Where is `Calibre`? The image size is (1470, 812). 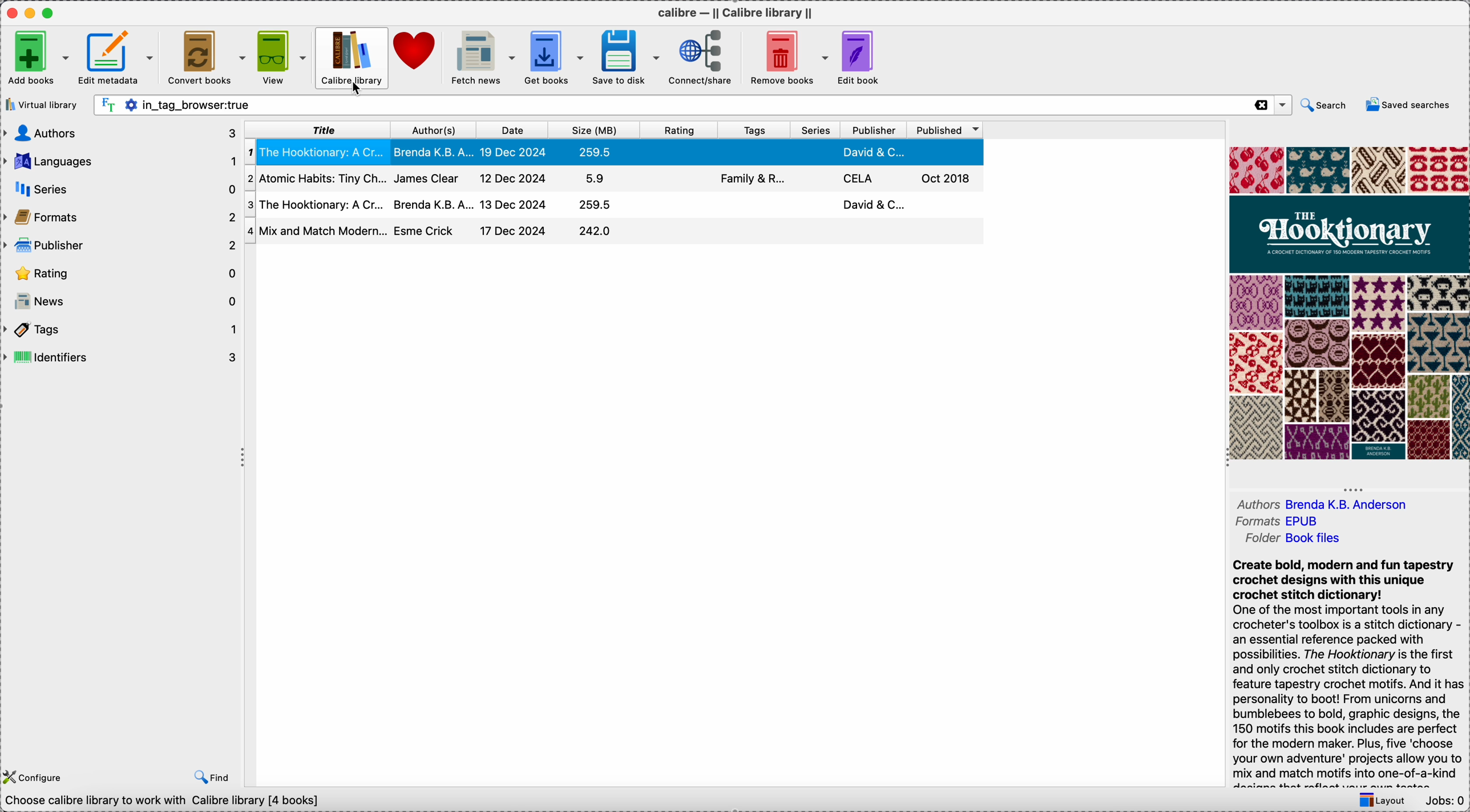
Calibre is located at coordinates (738, 11).